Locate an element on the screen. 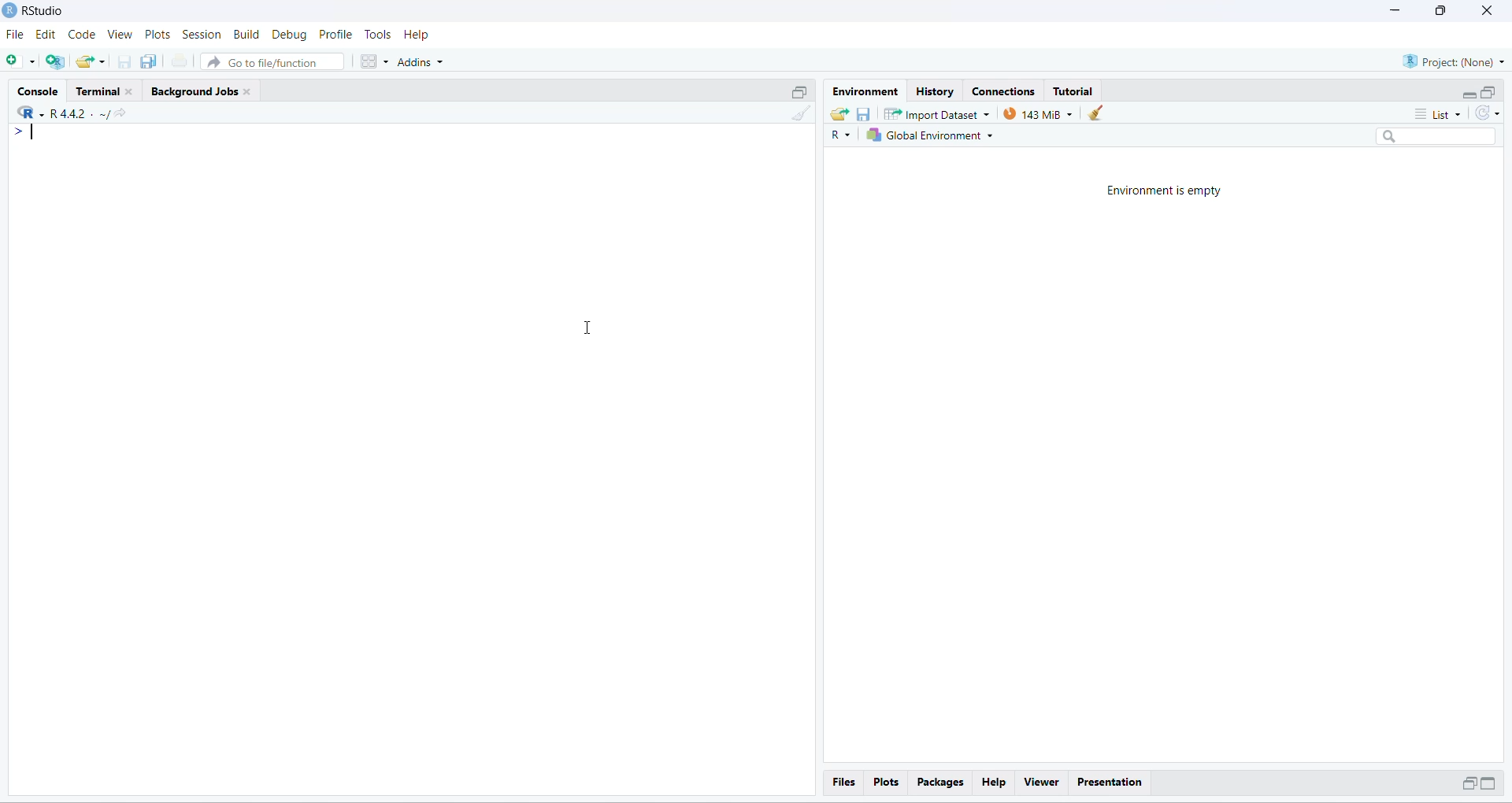 This screenshot has width=1512, height=803. project (none) is located at coordinates (1453, 61).